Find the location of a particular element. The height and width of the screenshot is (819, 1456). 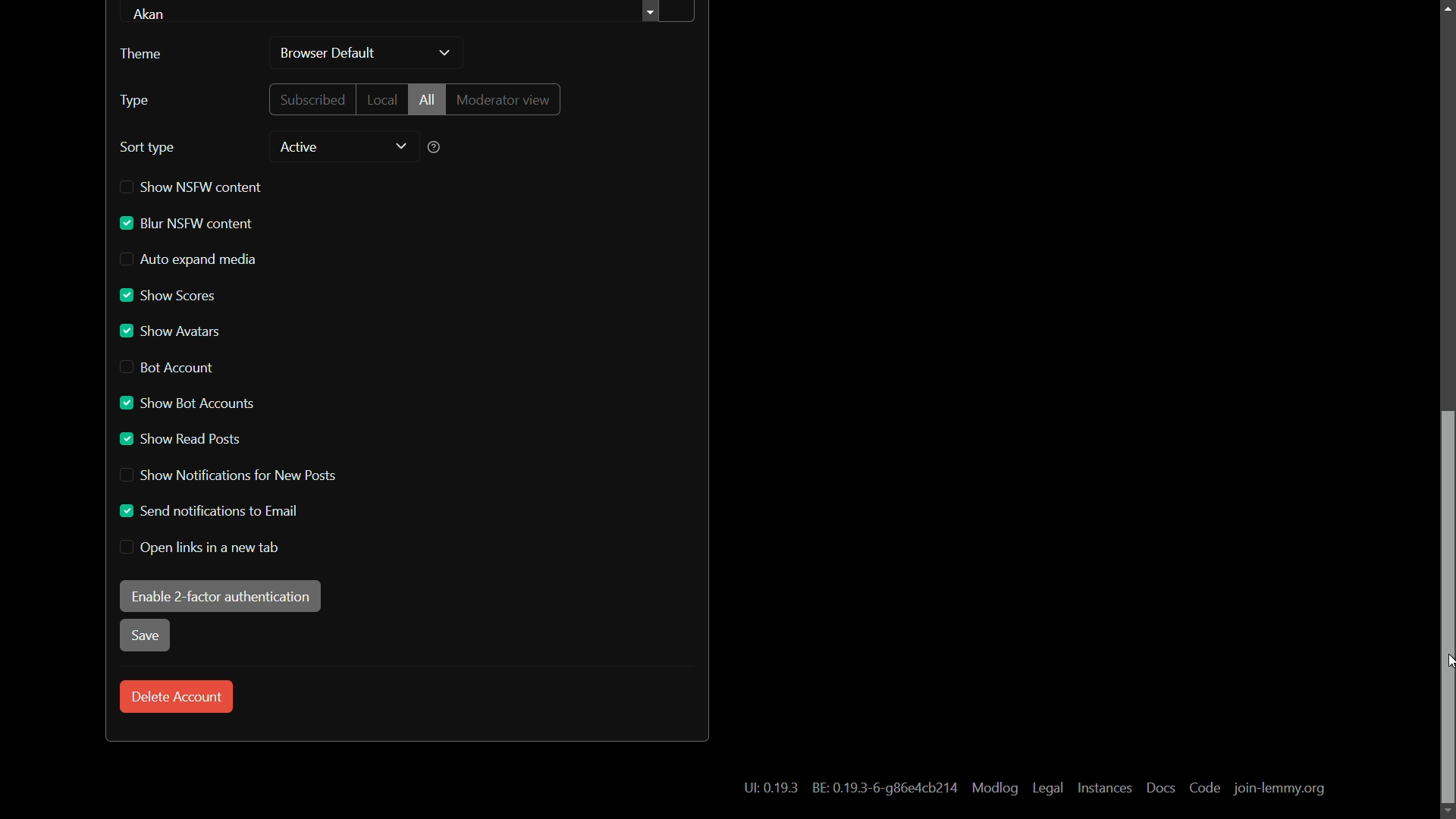

type is located at coordinates (134, 101).